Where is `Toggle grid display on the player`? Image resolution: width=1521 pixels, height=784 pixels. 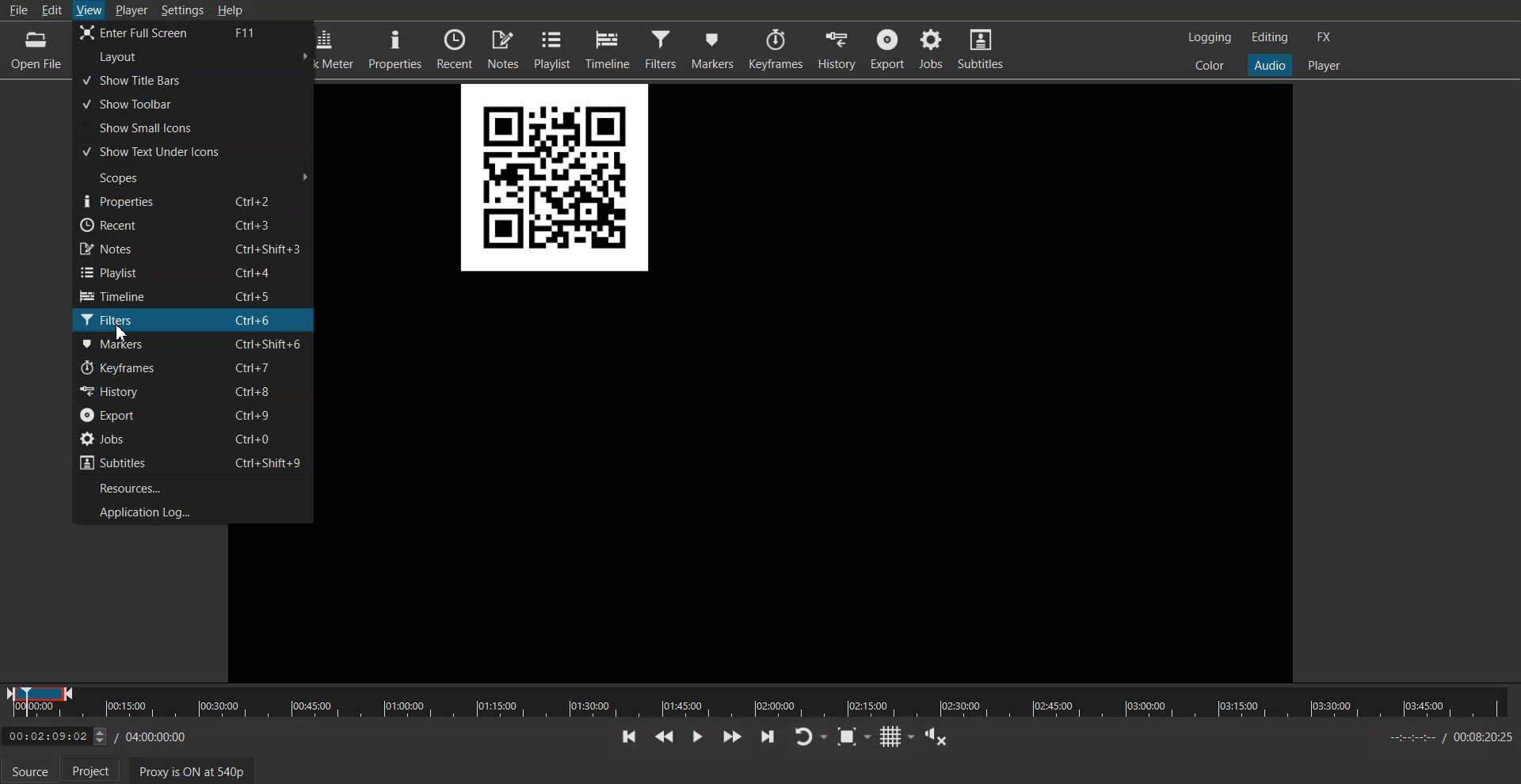 Toggle grid display on the player is located at coordinates (898, 736).